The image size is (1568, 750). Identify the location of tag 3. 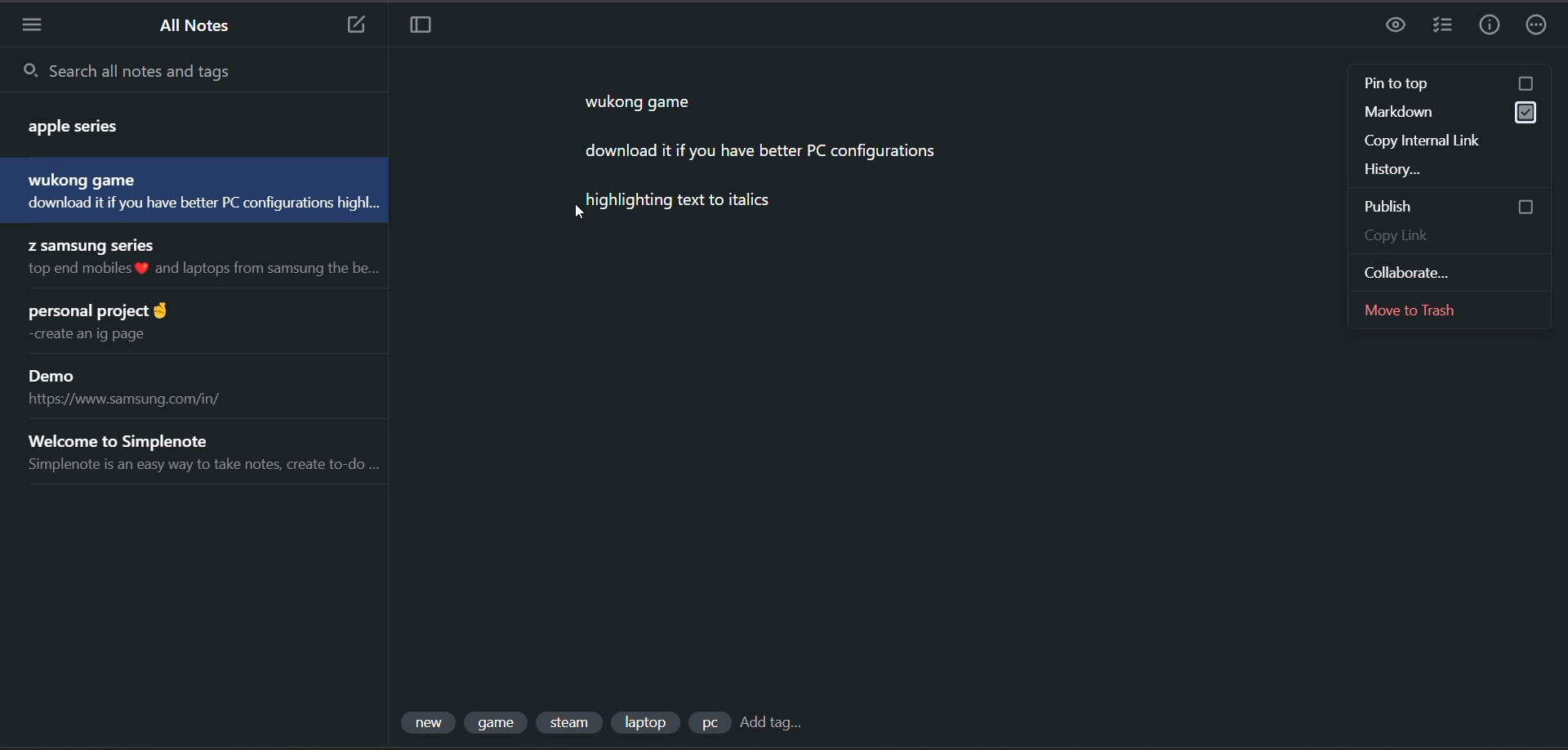
(572, 723).